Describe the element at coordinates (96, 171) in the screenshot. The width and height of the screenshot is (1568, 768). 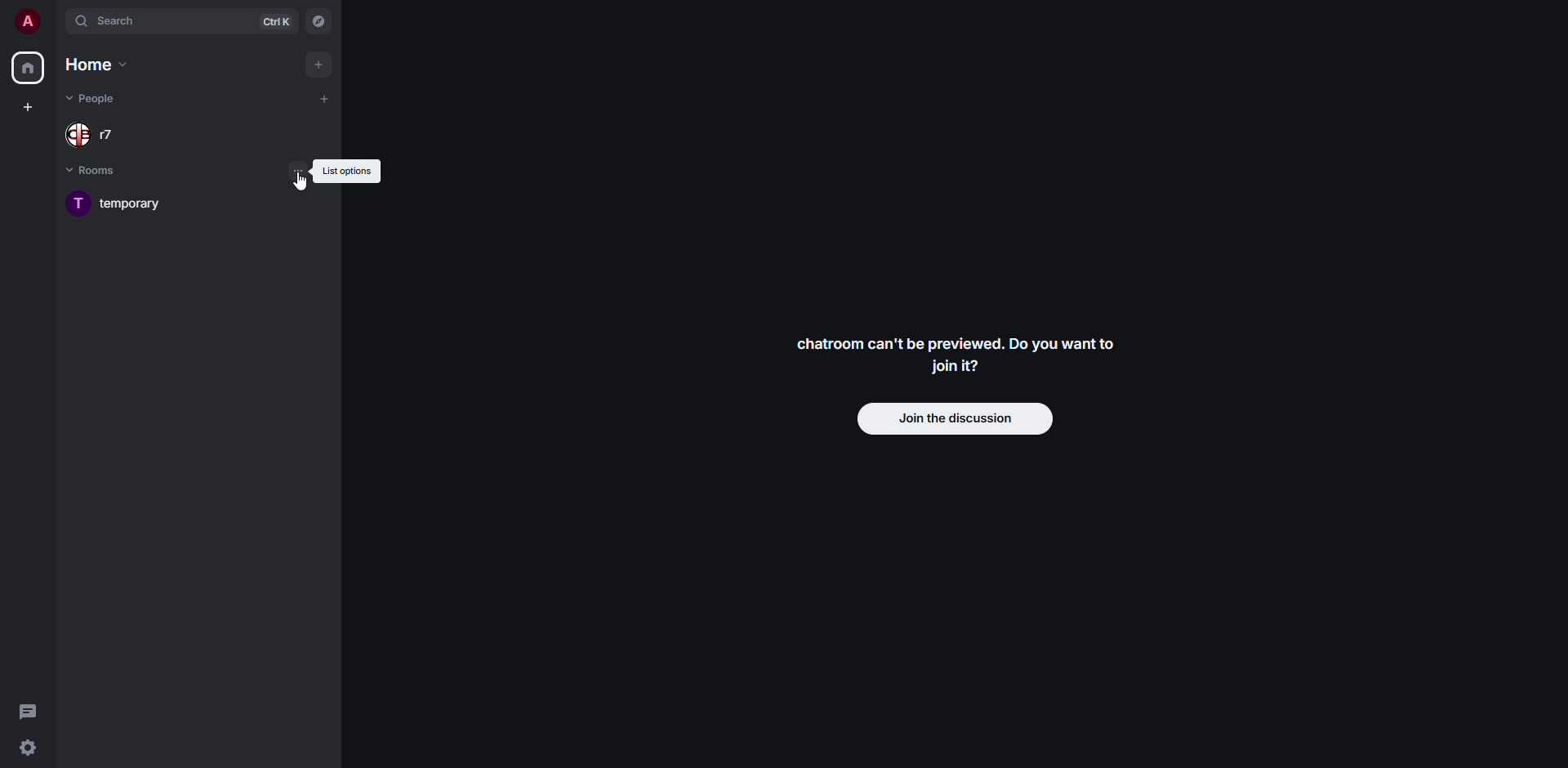
I see `rooms` at that location.